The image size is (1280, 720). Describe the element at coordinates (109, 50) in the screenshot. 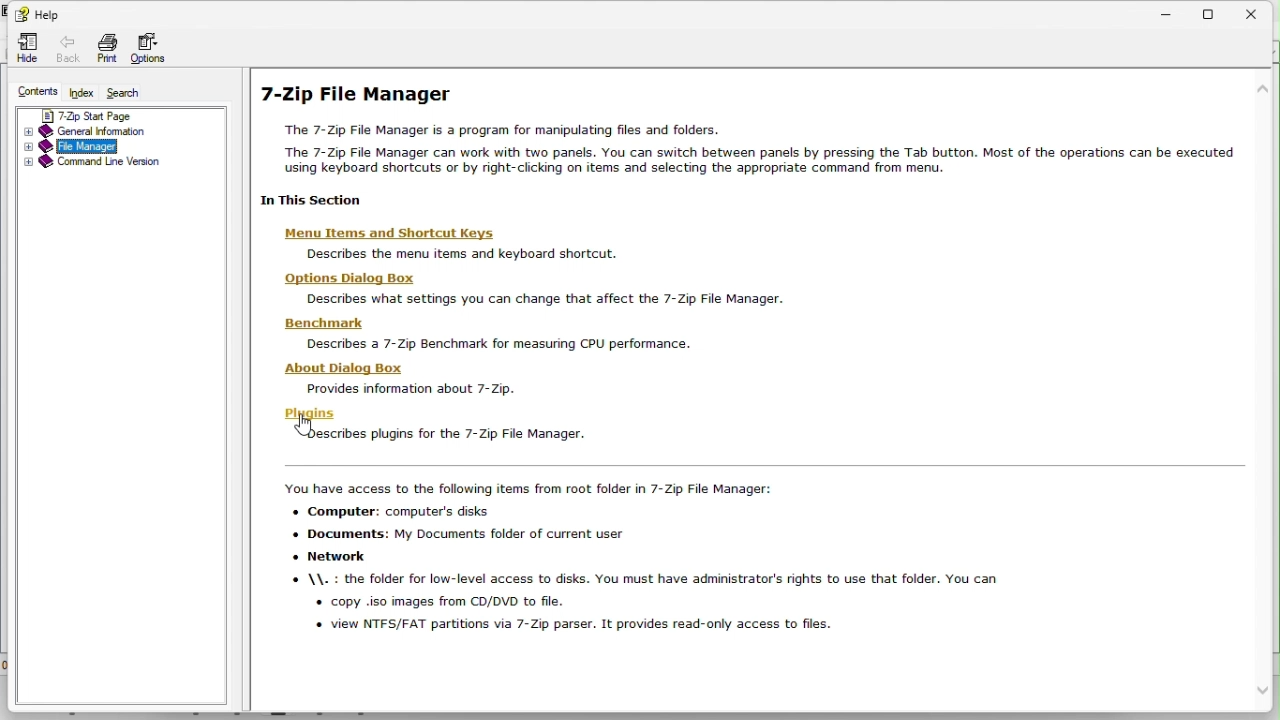

I see `Print` at that location.